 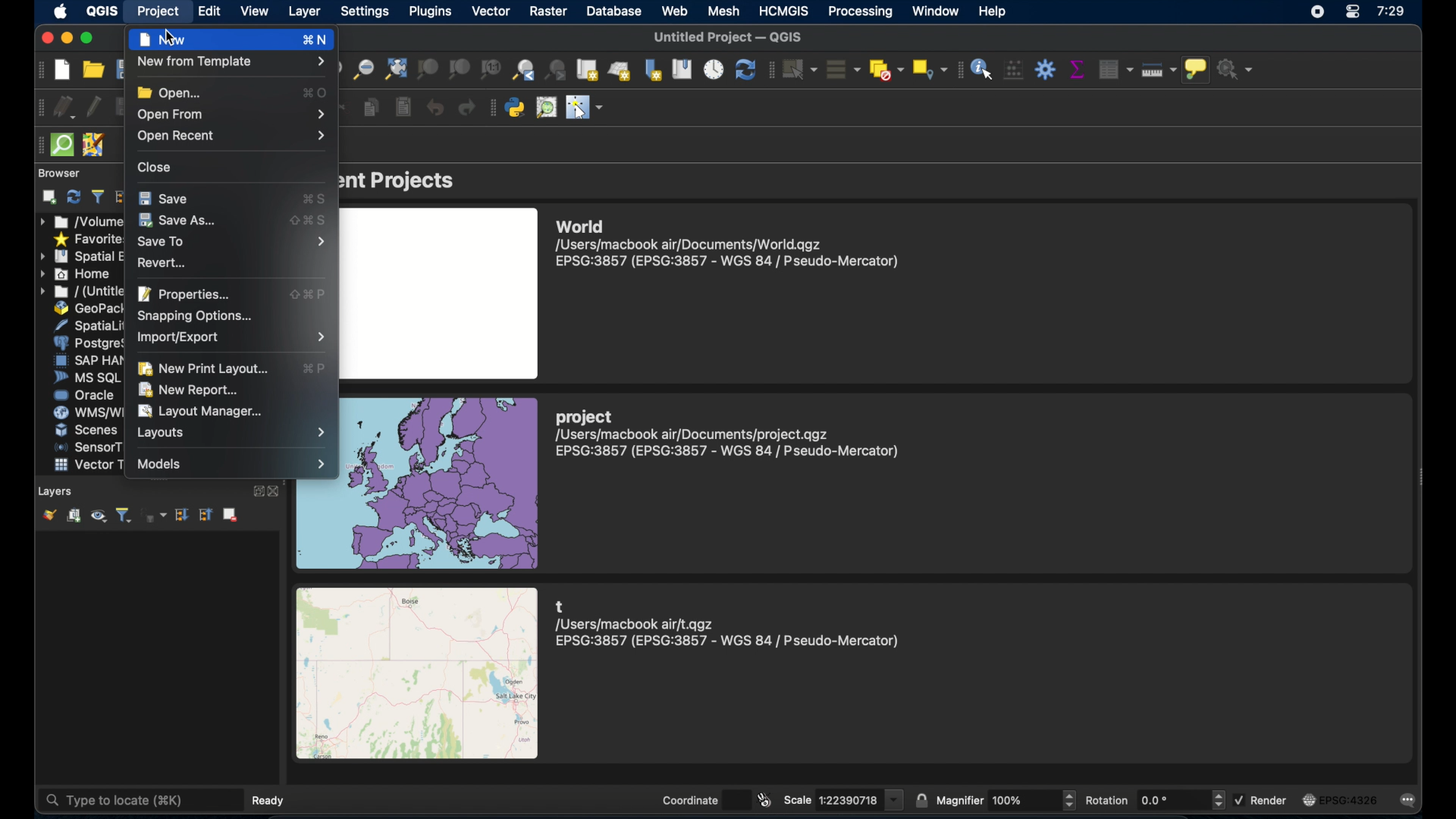 I want to click on selection toolbar, so click(x=770, y=71).